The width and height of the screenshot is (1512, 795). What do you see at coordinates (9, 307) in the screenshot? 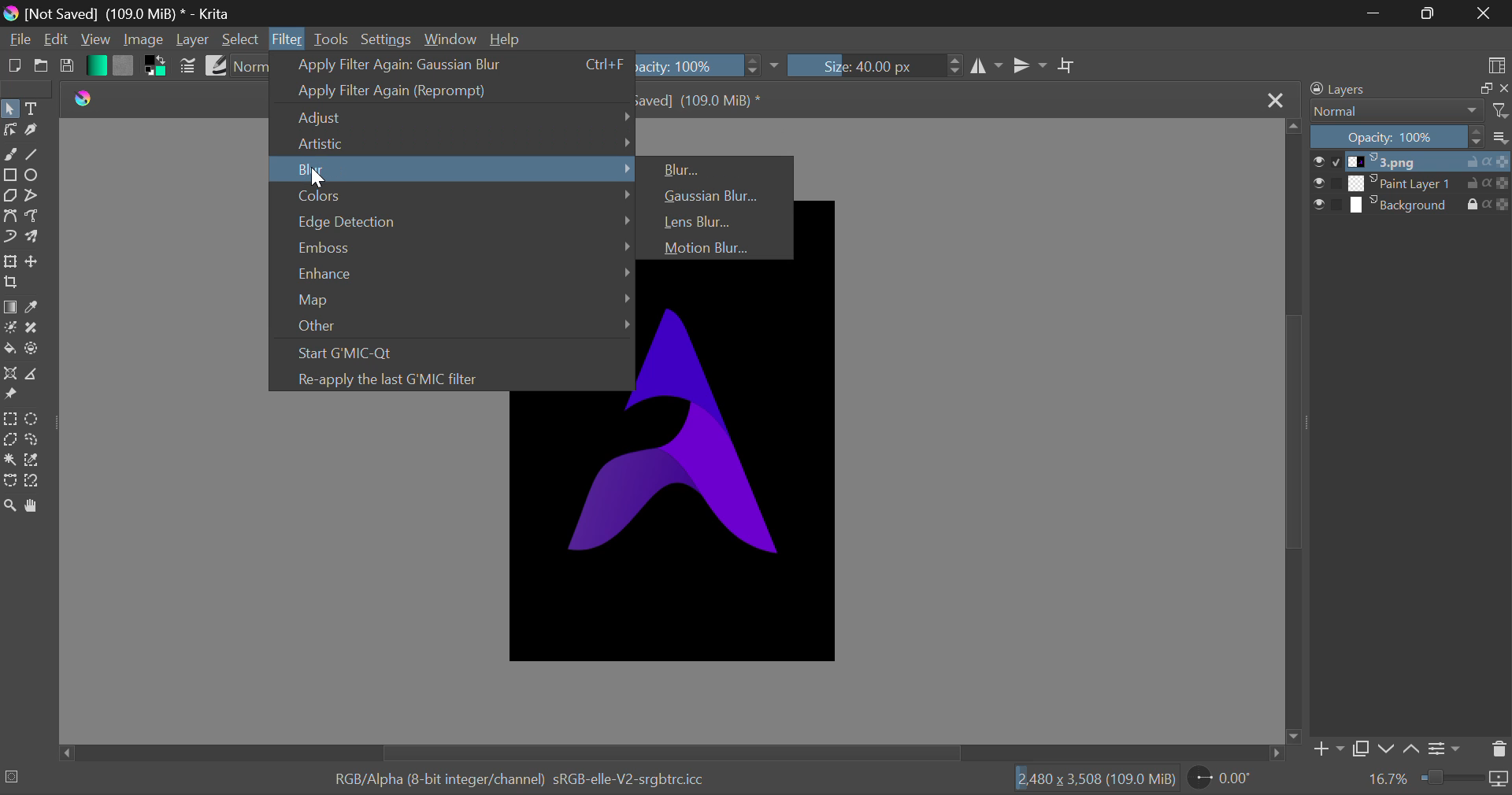
I see `Gradient Fill` at bounding box center [9, 307].